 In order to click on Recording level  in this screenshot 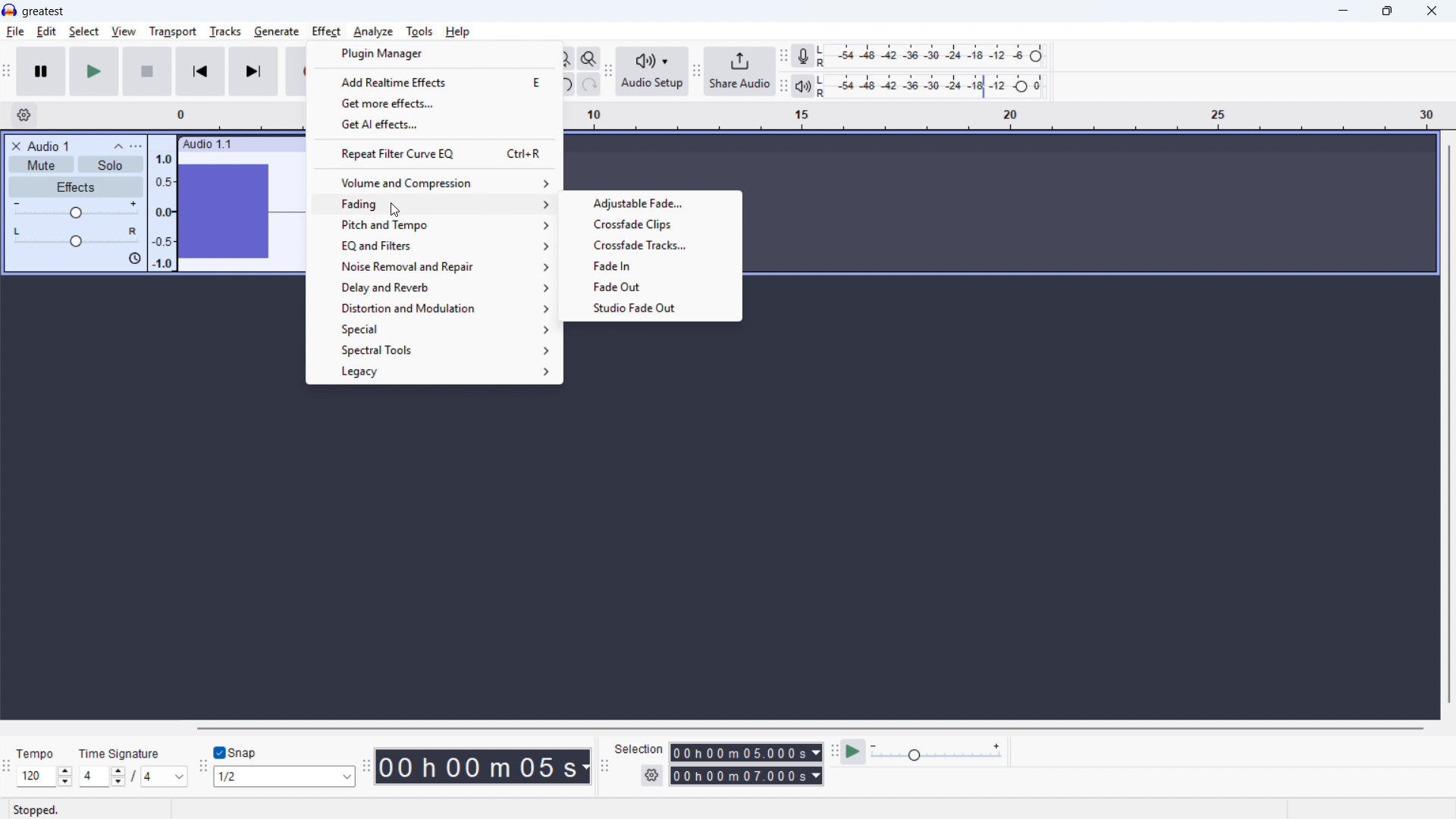, I will do `click(935, 56)`.